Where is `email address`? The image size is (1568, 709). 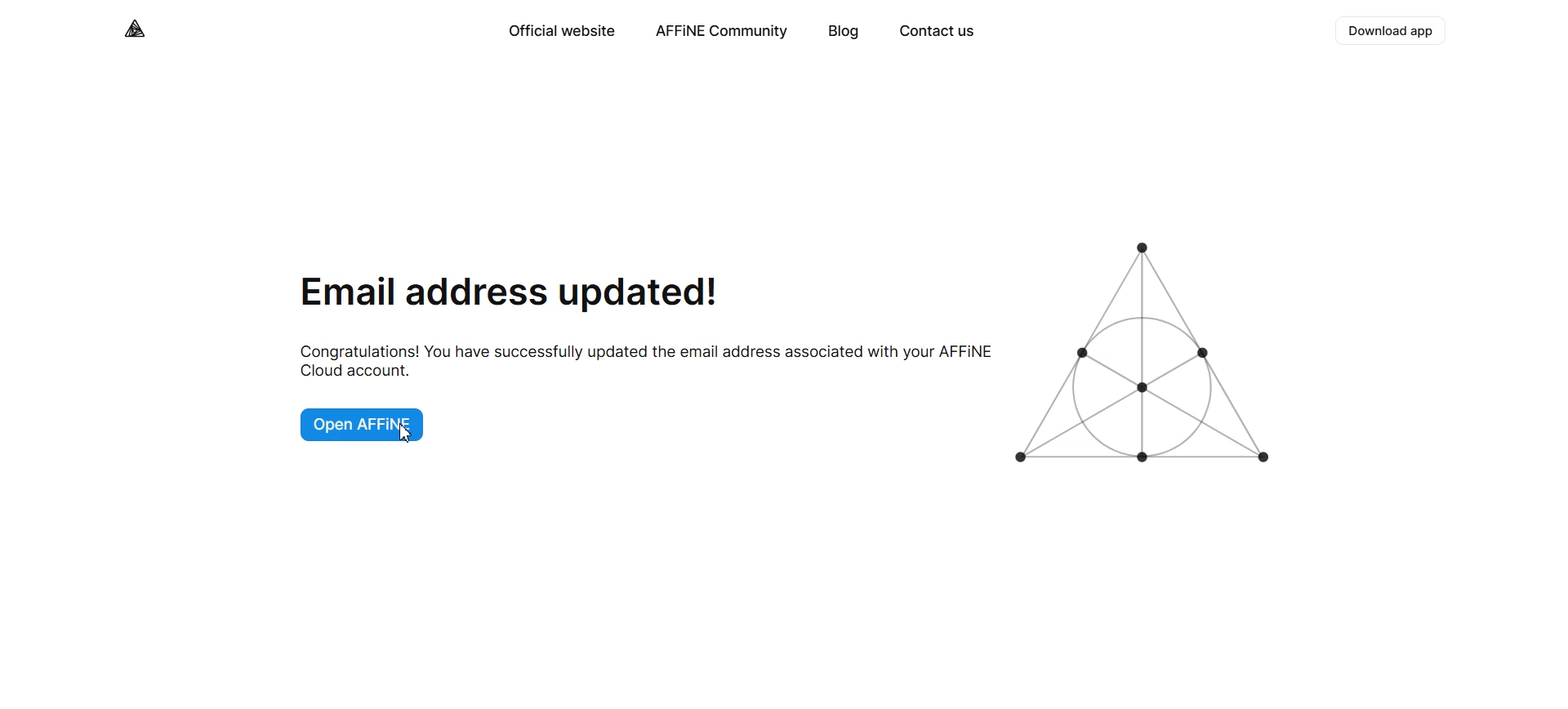 email address is located at coordinates (510, 292).